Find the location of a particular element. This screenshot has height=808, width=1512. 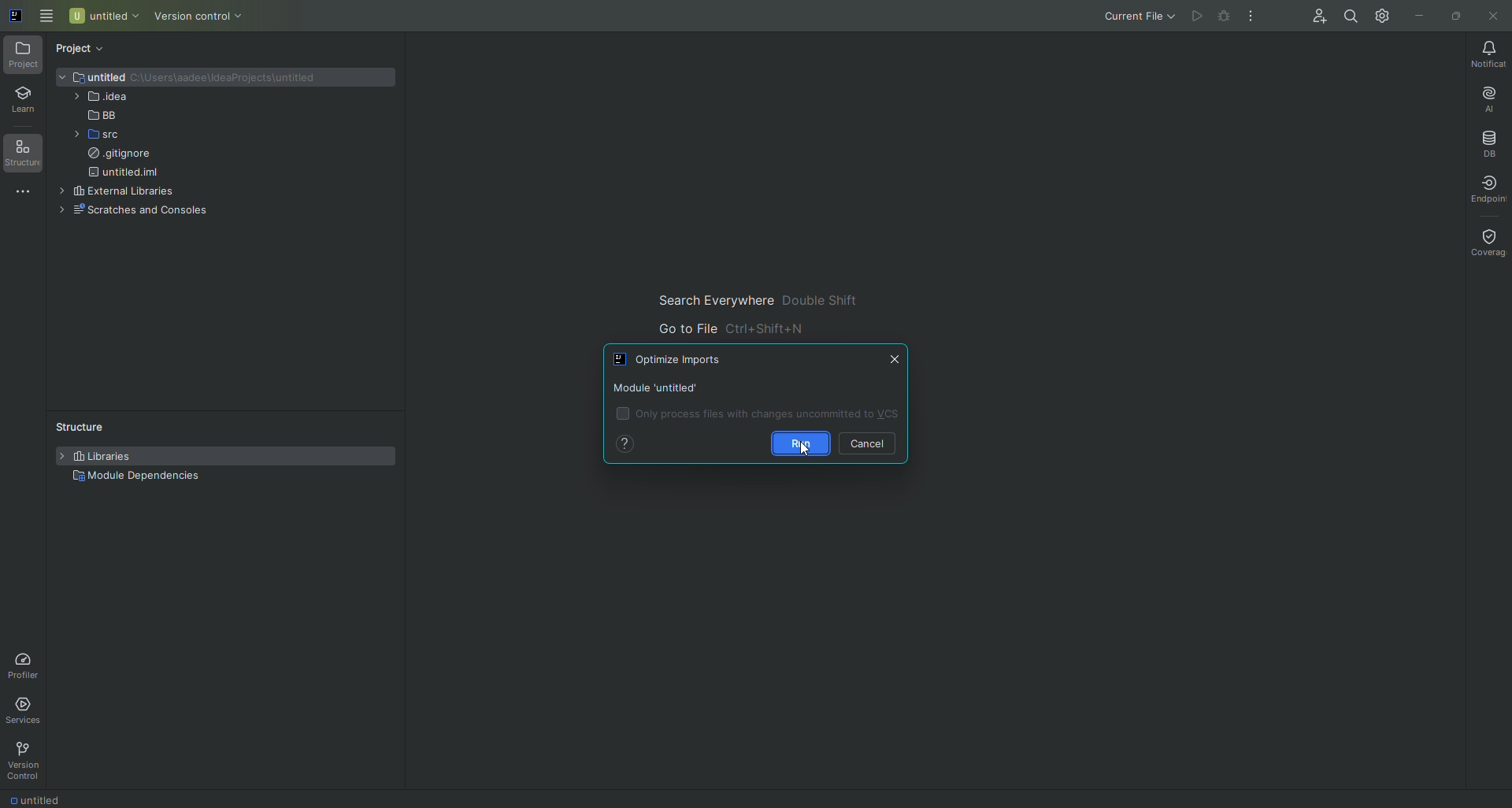

Optimize Imports is located at coordinates (676, 360).